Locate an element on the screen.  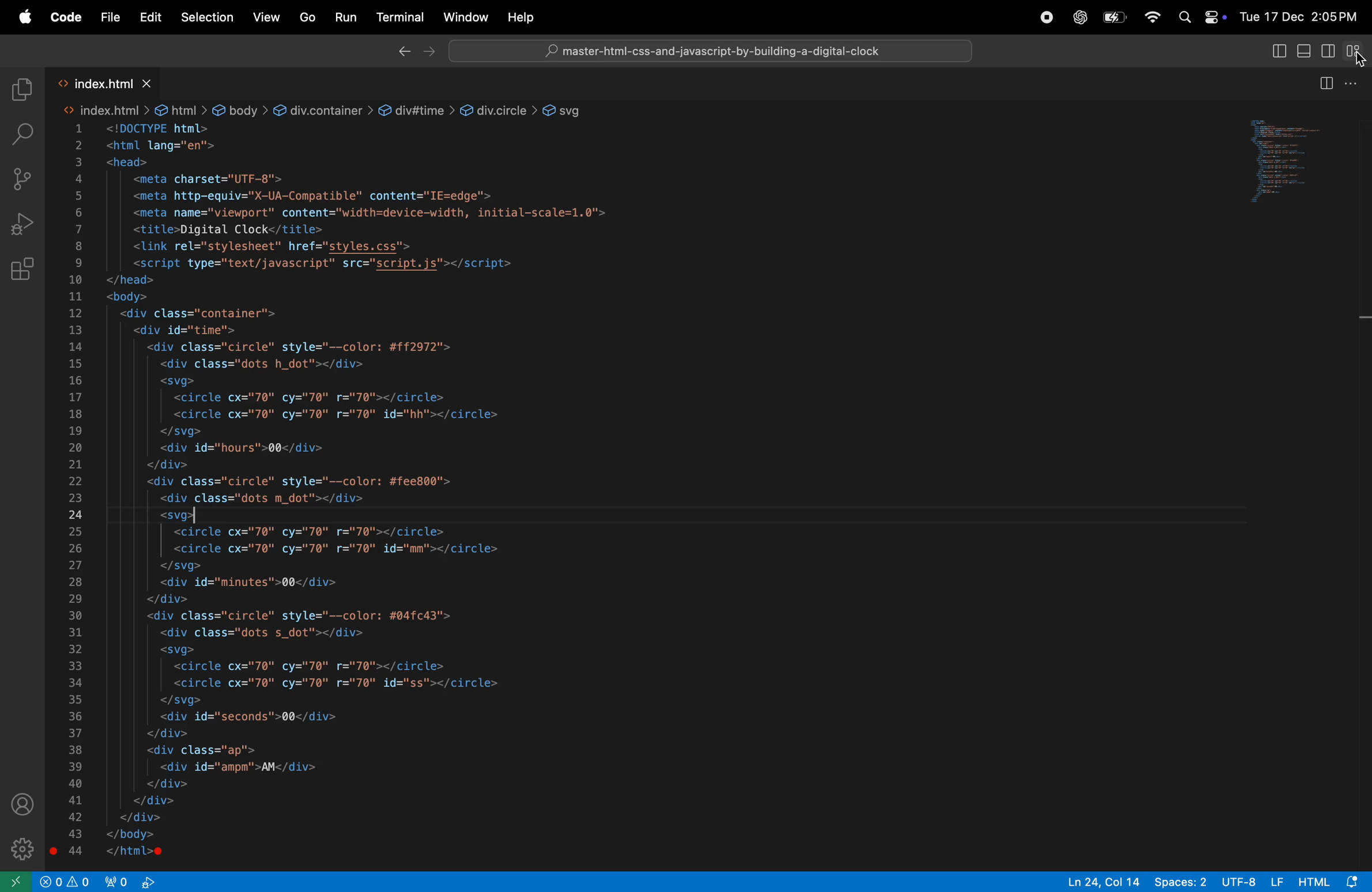
<!DOCTYPE html><html lang="en"><head><meta charset="UTF-8"><meta http-equiv="X-UA-Compatible" content="IE=edge'><meta name="viewport" content="width=device-width, initial-scale=1.0"><title>Digital Clock</title><link rel="stylesheet" href="styles.css"><script type="text/javascript" src="script.js"></script></head><body><div class="container"><div id="time"><div class="circle" style="--color: #ff2972"><div class="dots h_dot"></div><svg><circle cx="70" cy="70" r="70"></circle><circle cx="70" cy="70" r="70" id="hh"></circle></svg><div id="hours">00</div></div><div class="circle" style="--color: #fee800"><div class="dots m_dot"></div><svg3]<circle cx="70" cy="70" r="70"></circle><circle cx="70" cy="70" r="70" id="mm"></circle></svg><div id="minutes">00</div></div><div class="circle" style="--color: #04fc43"><div class="dots s_dot"></div><svg><circle cx="70" cy="70" r="70"></circle><circle cx="70" cy="70" r="70" id="ss"></circle></svg><div id="seconds">00</div></div><div class="ap"><div id="ampm">AM</div></div></div></div></body></html> is located at coordinates (360, 494).